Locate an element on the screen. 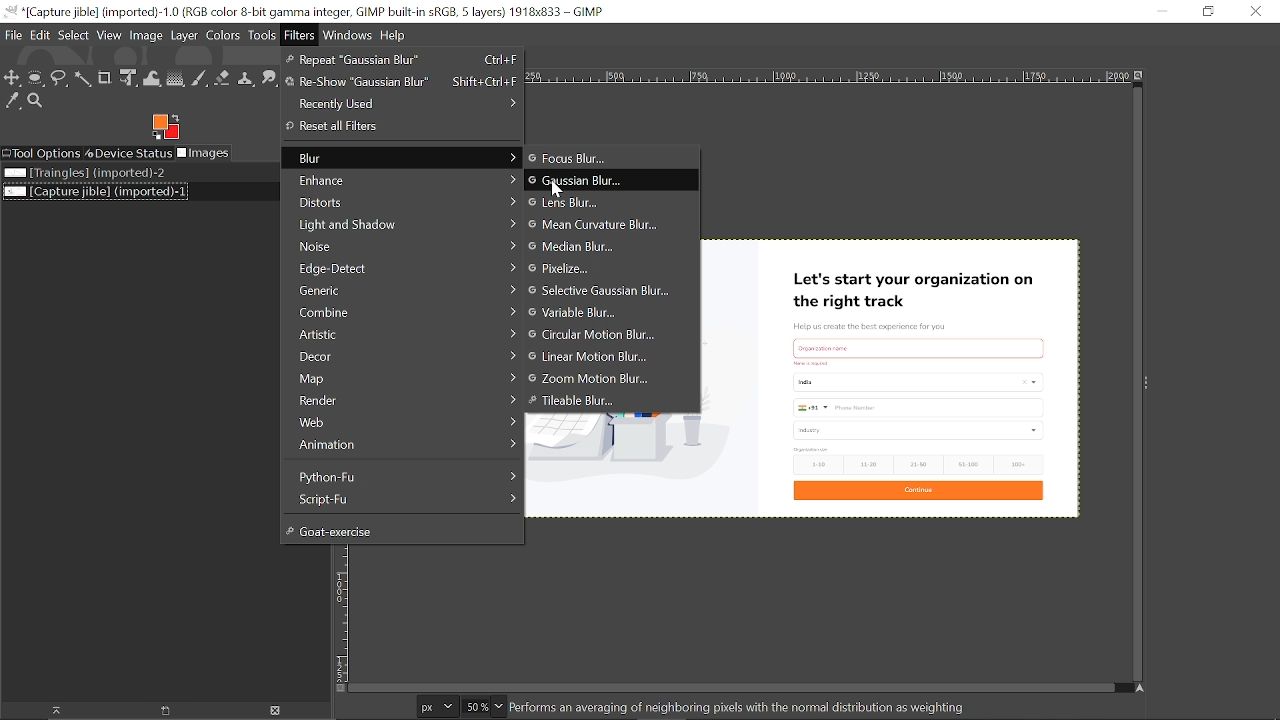 This screenshot has height=720, width=1280. File is located at coordinates (13, 37).